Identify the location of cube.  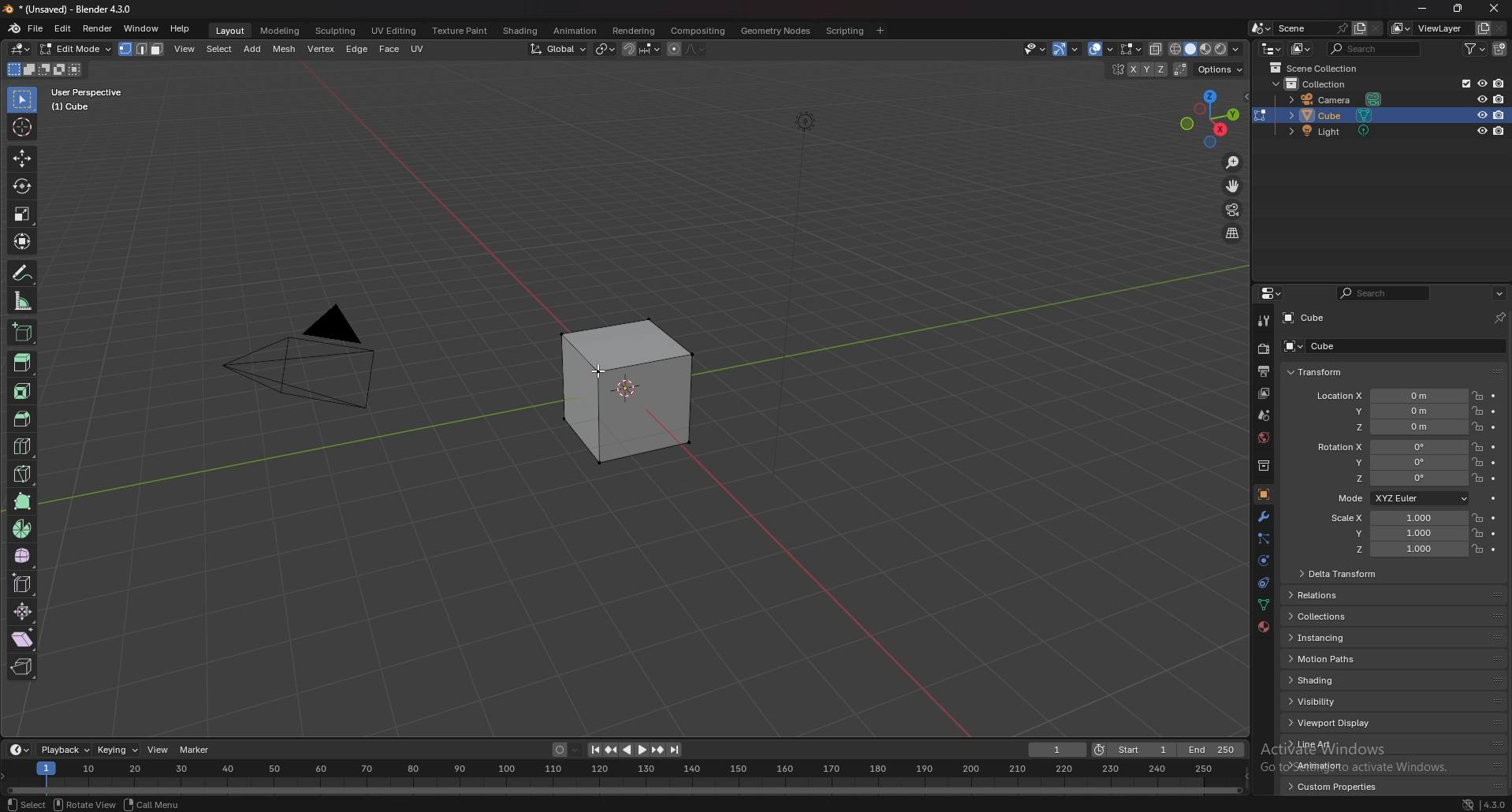
(1304, 318).